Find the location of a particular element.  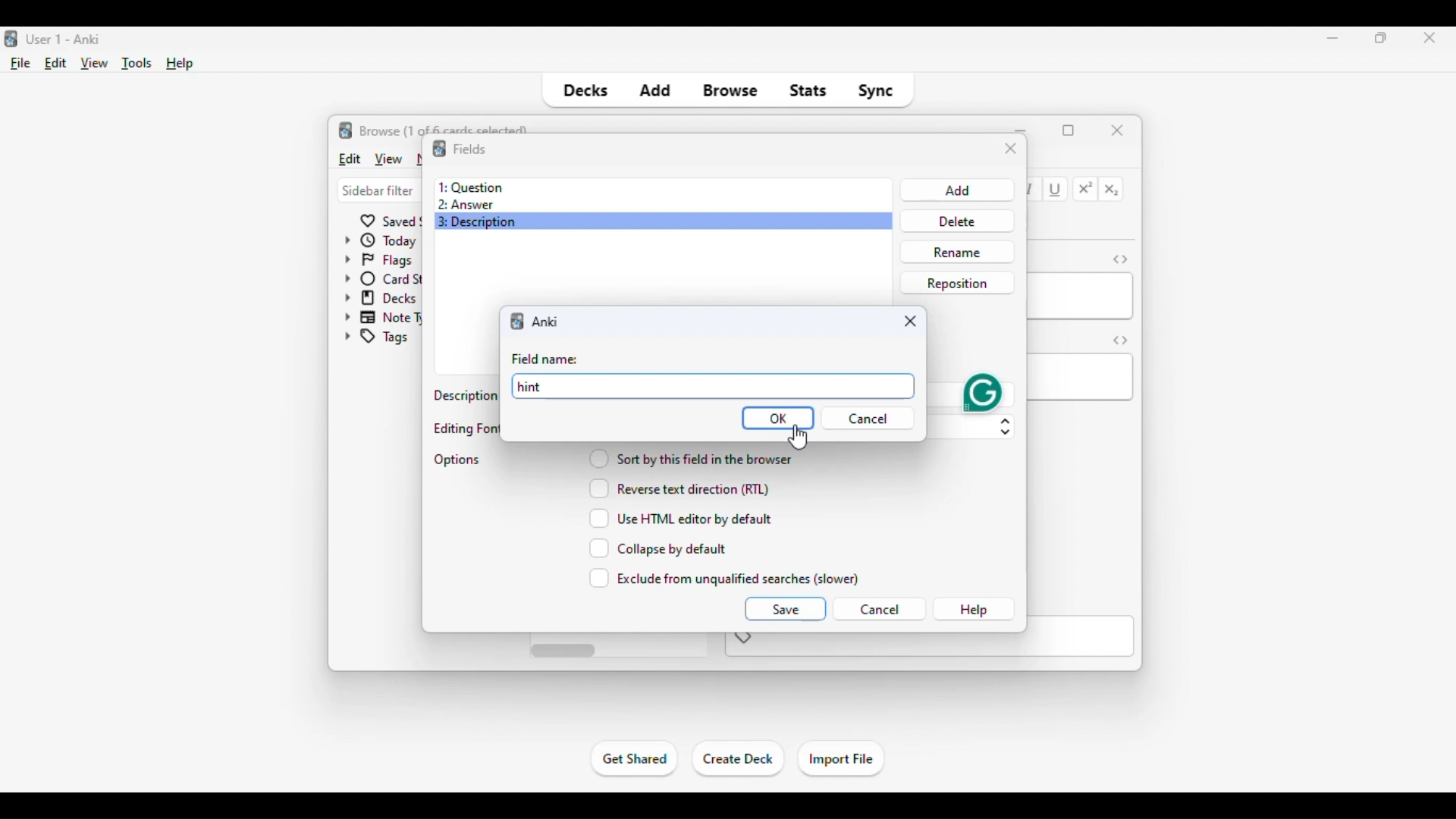

save is located at coordinates (784, 608).